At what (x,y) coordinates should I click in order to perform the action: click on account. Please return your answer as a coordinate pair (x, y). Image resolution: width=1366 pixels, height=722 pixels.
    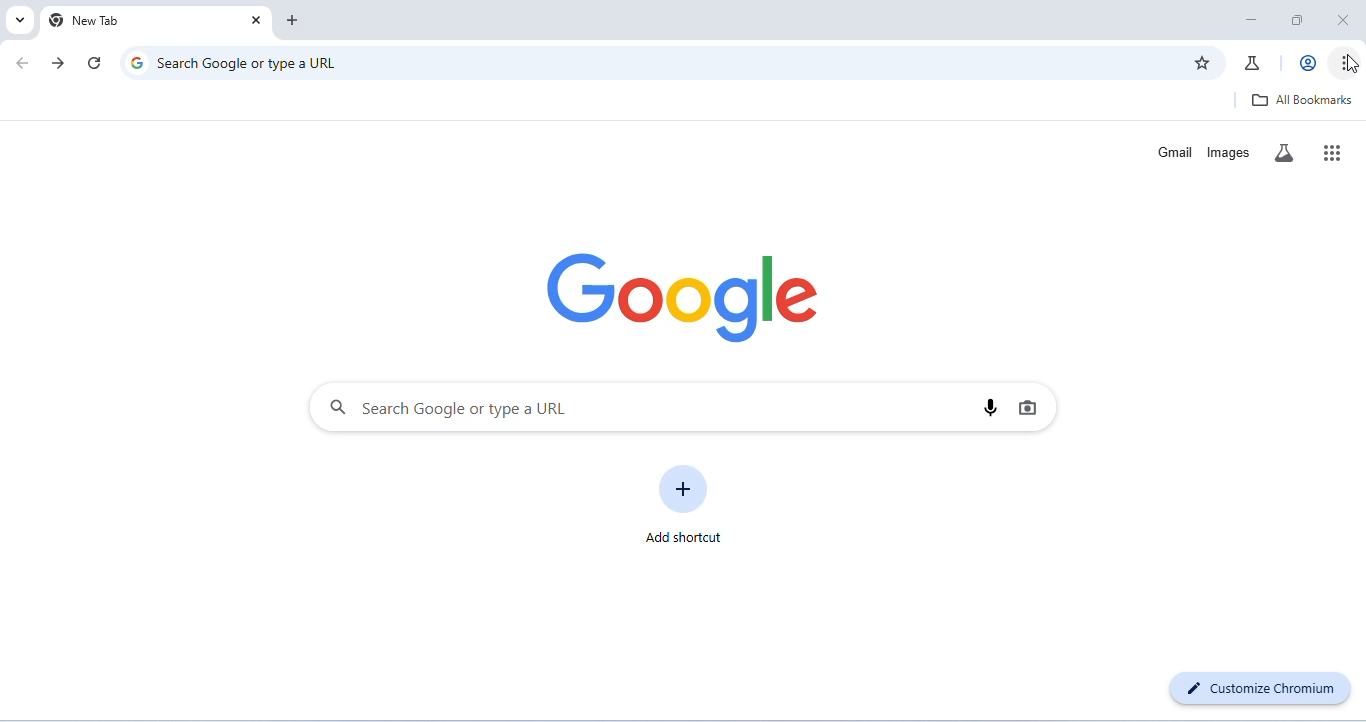
    Looking at the image, I should click on (1305, 63).